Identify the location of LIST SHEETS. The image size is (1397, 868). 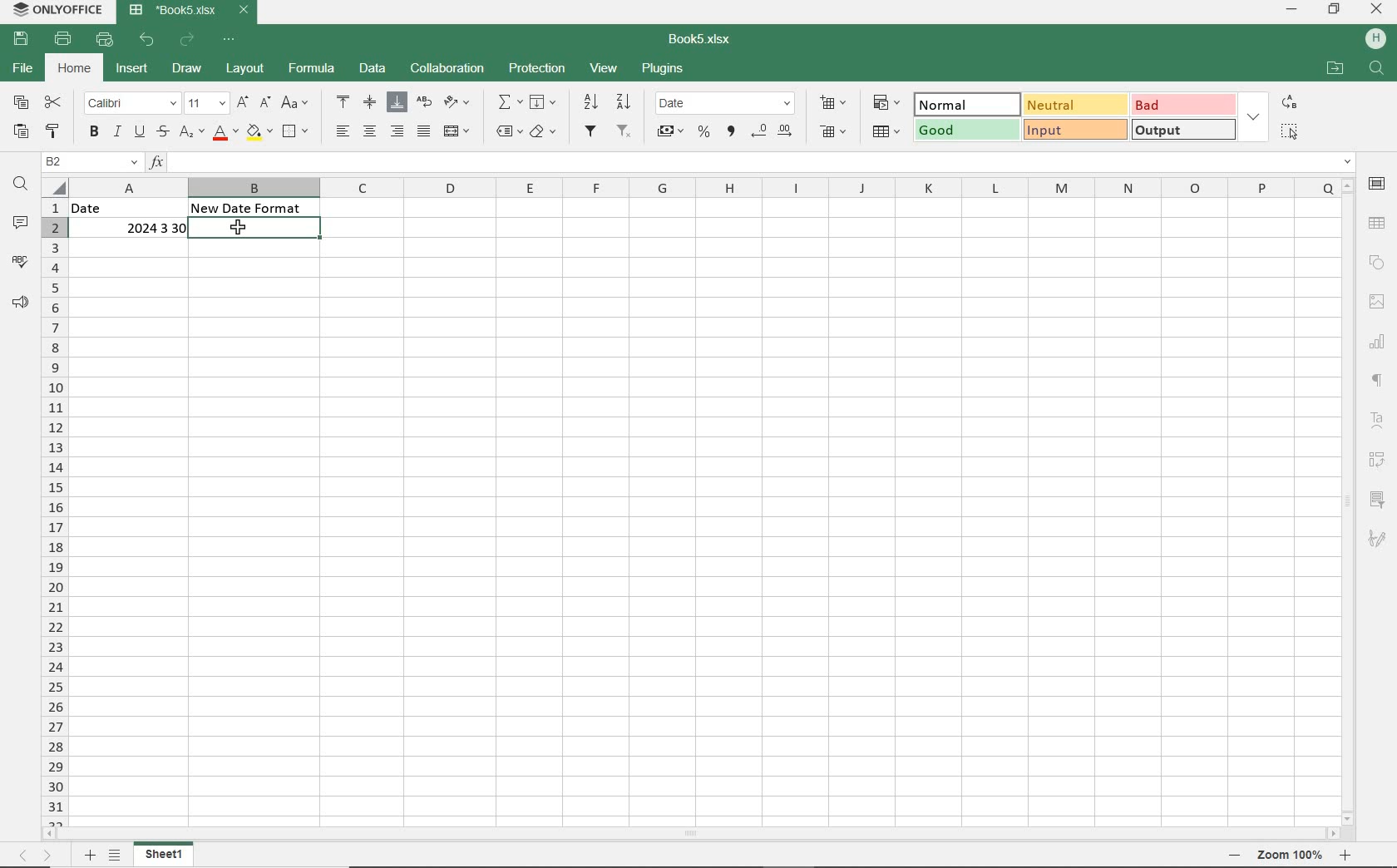
(116, 856).